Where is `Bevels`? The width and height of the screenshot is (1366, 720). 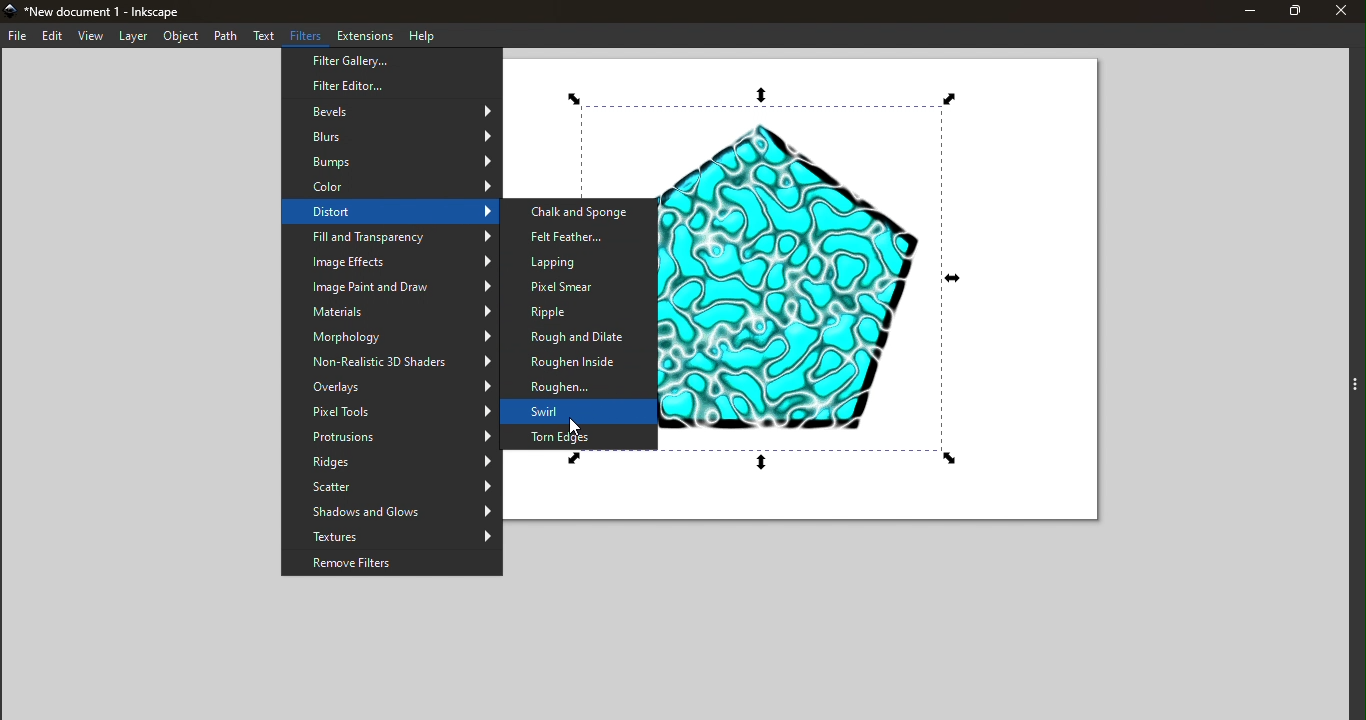
Bevels is located at coordinates (389, 112).